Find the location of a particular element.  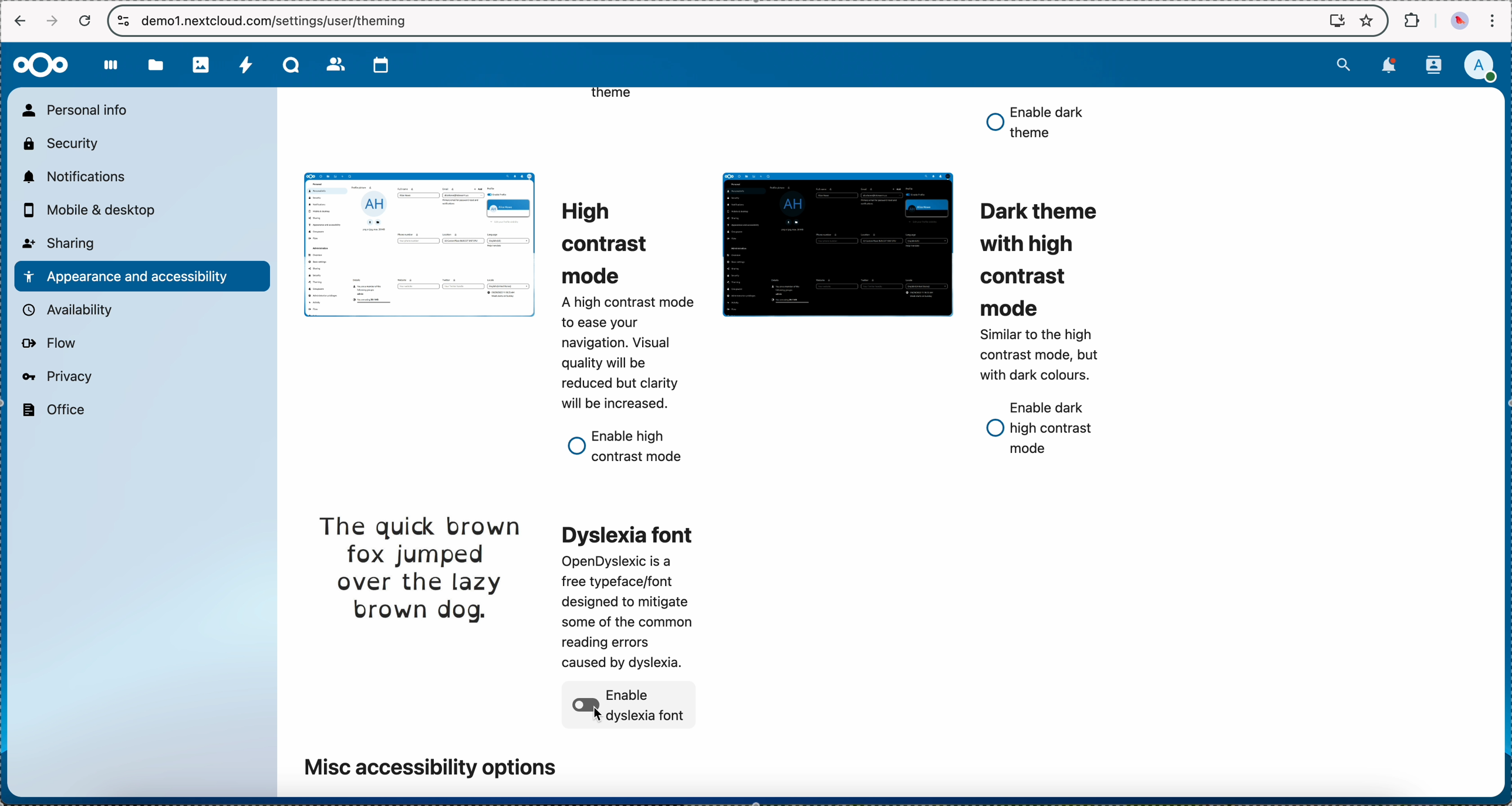

mobile and desktop is located at coordinates (95, 209).